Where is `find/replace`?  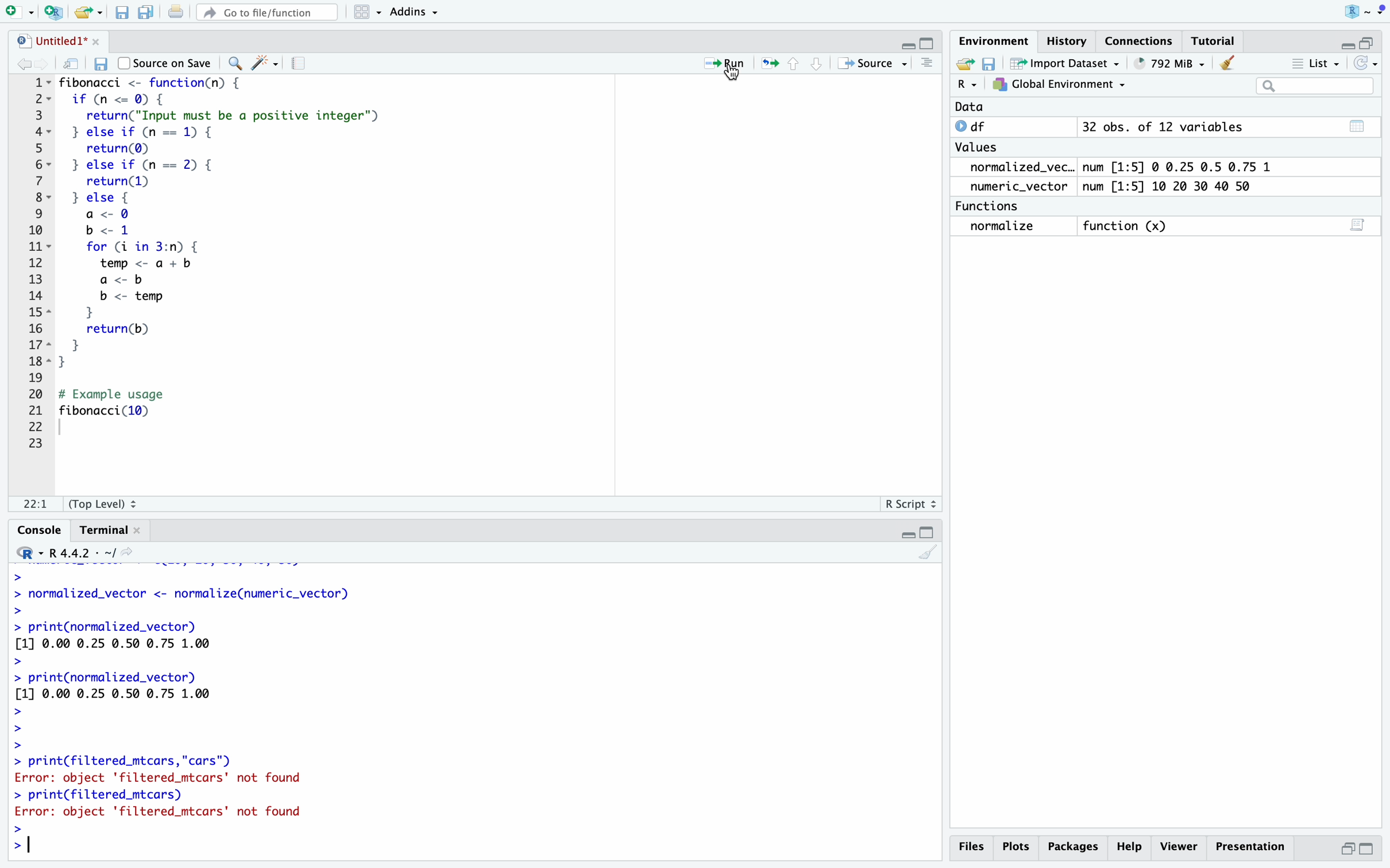 find/replace is located at coordinates (234, 64).